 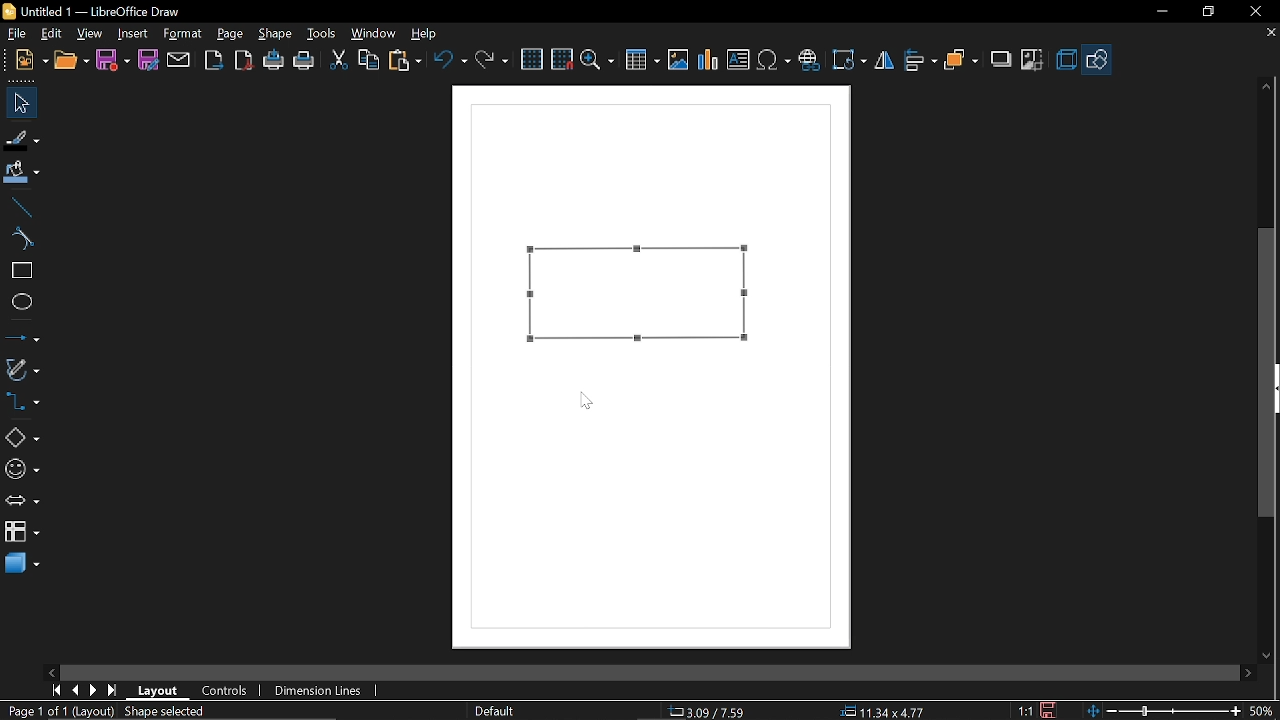 I want to click on save , so click(x=112, y=60).